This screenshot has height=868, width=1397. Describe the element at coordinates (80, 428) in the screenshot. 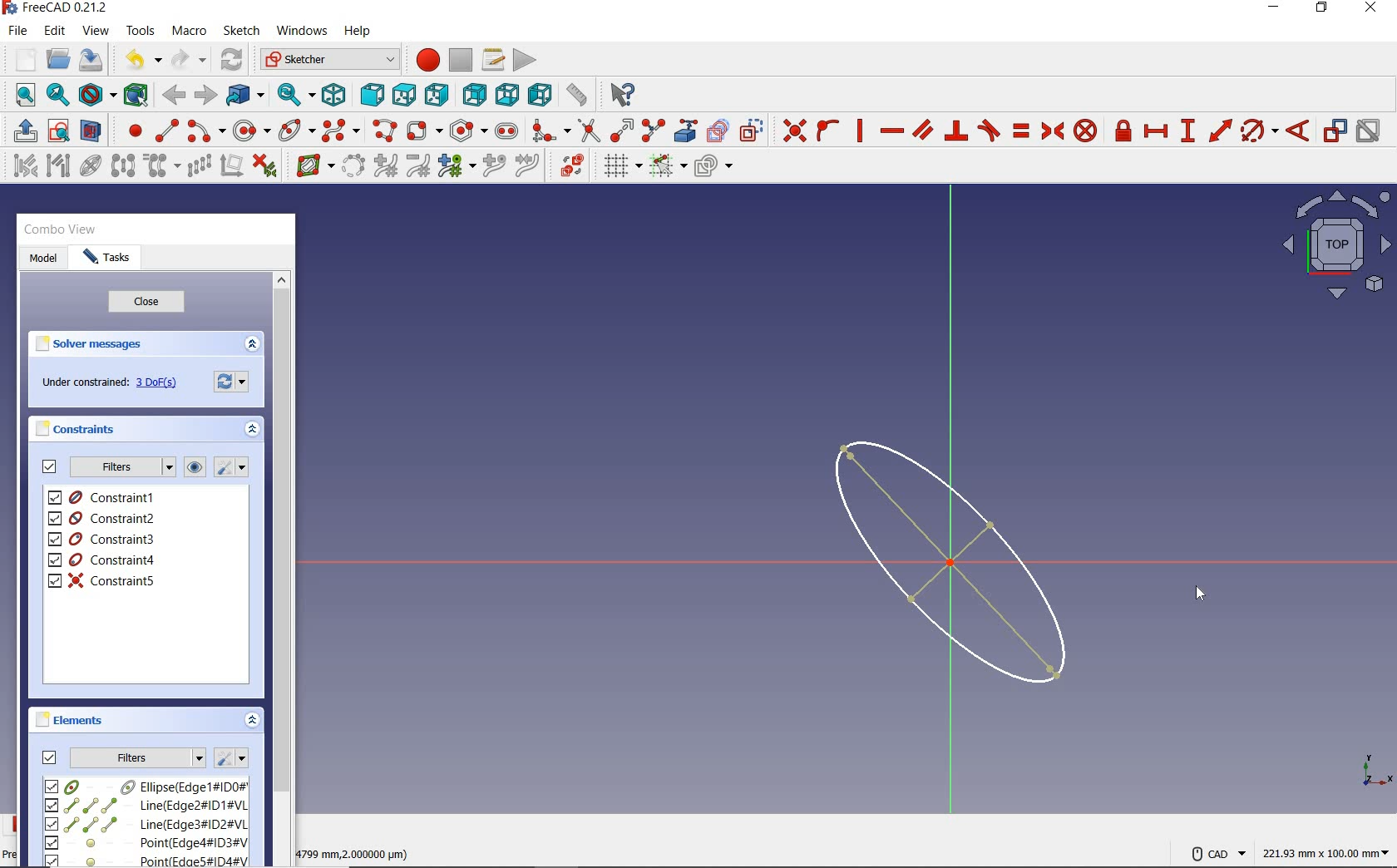

I see `constraints` at that location.